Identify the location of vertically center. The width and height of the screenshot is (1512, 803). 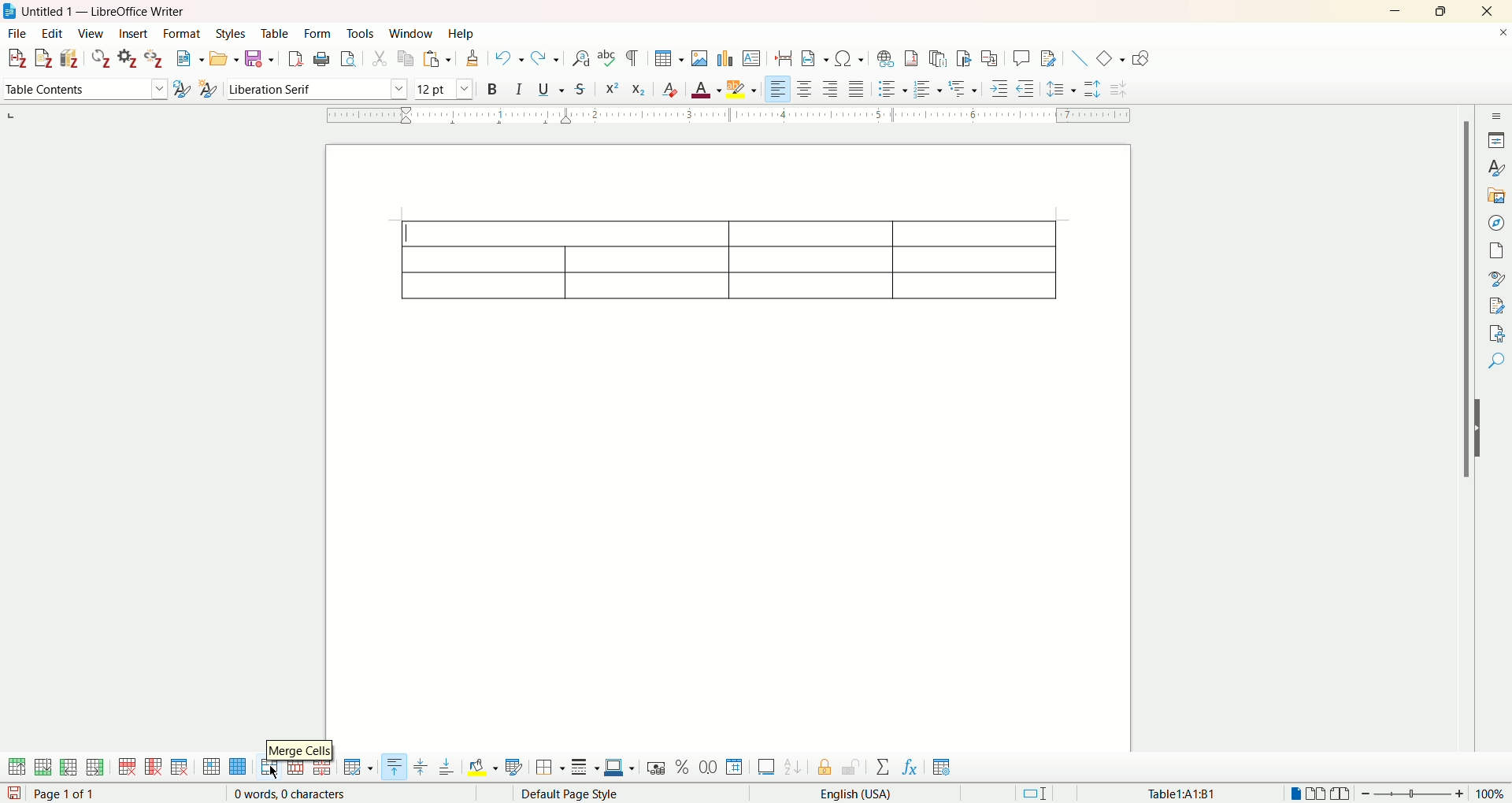
(424, 767).